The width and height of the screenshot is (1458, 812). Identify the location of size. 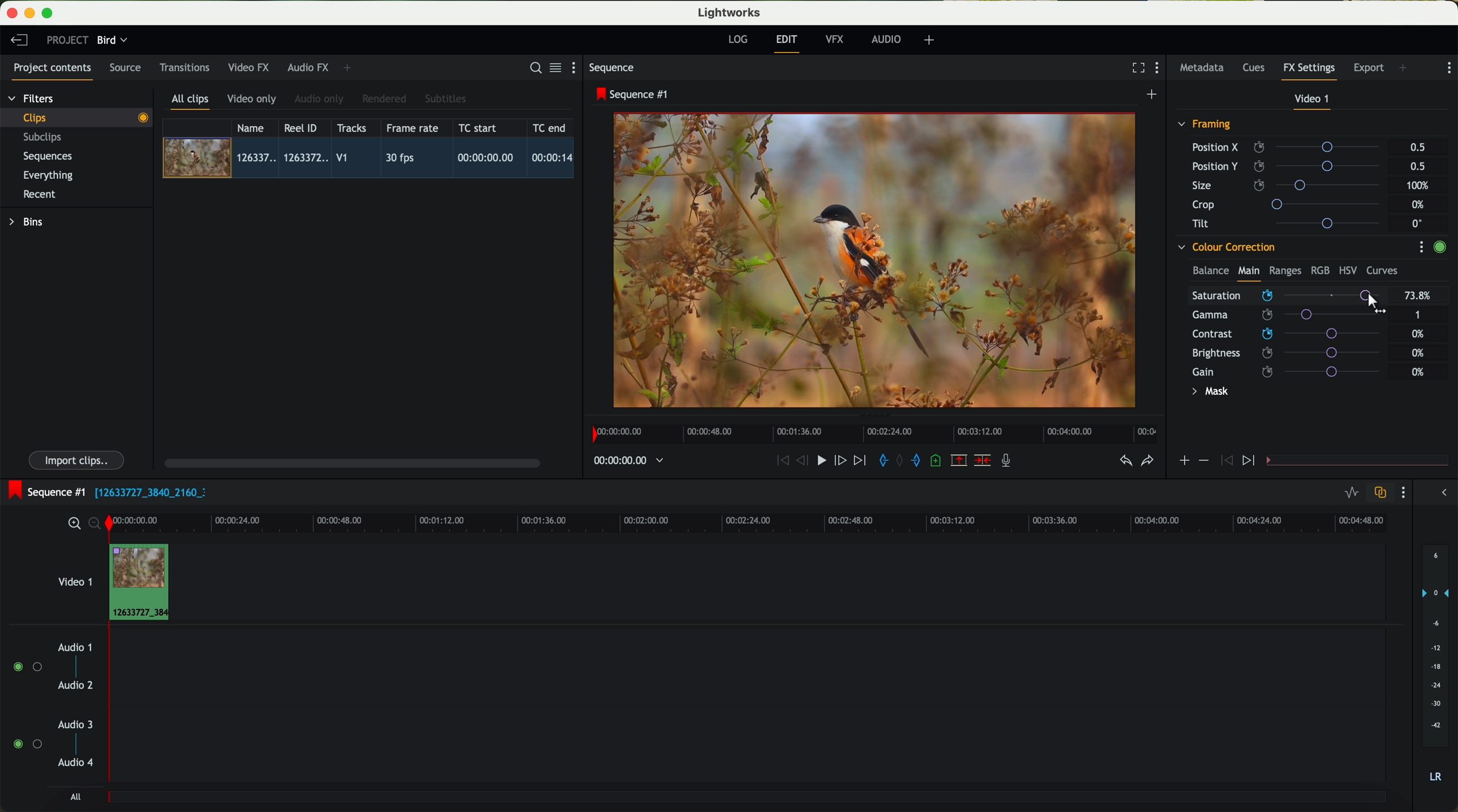
(1289, 186).